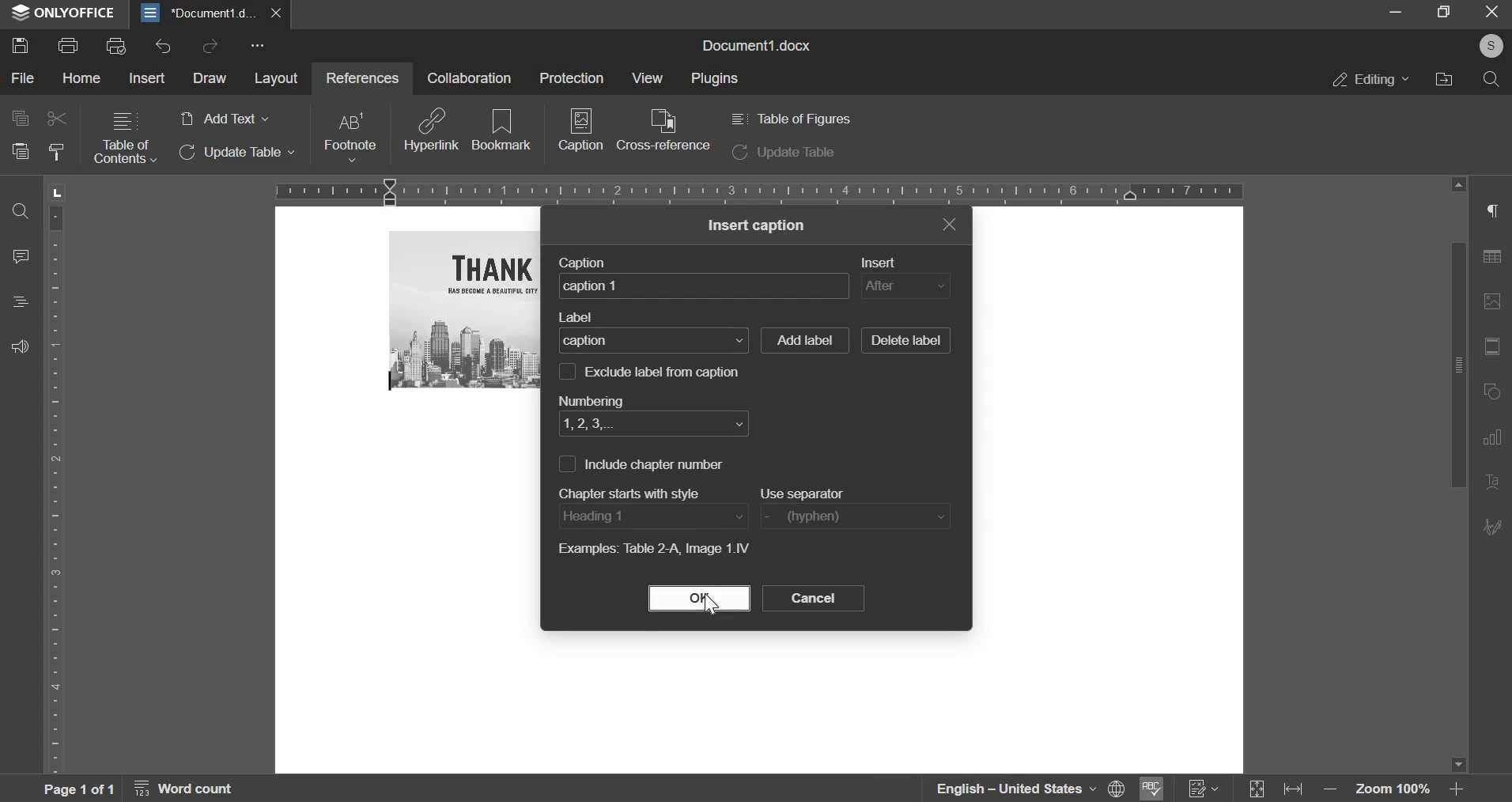 The width and height of the screenshot is (1512, 802). Describe the element at coordinates (280, 13) in the screenshot. I see `close` at that location.